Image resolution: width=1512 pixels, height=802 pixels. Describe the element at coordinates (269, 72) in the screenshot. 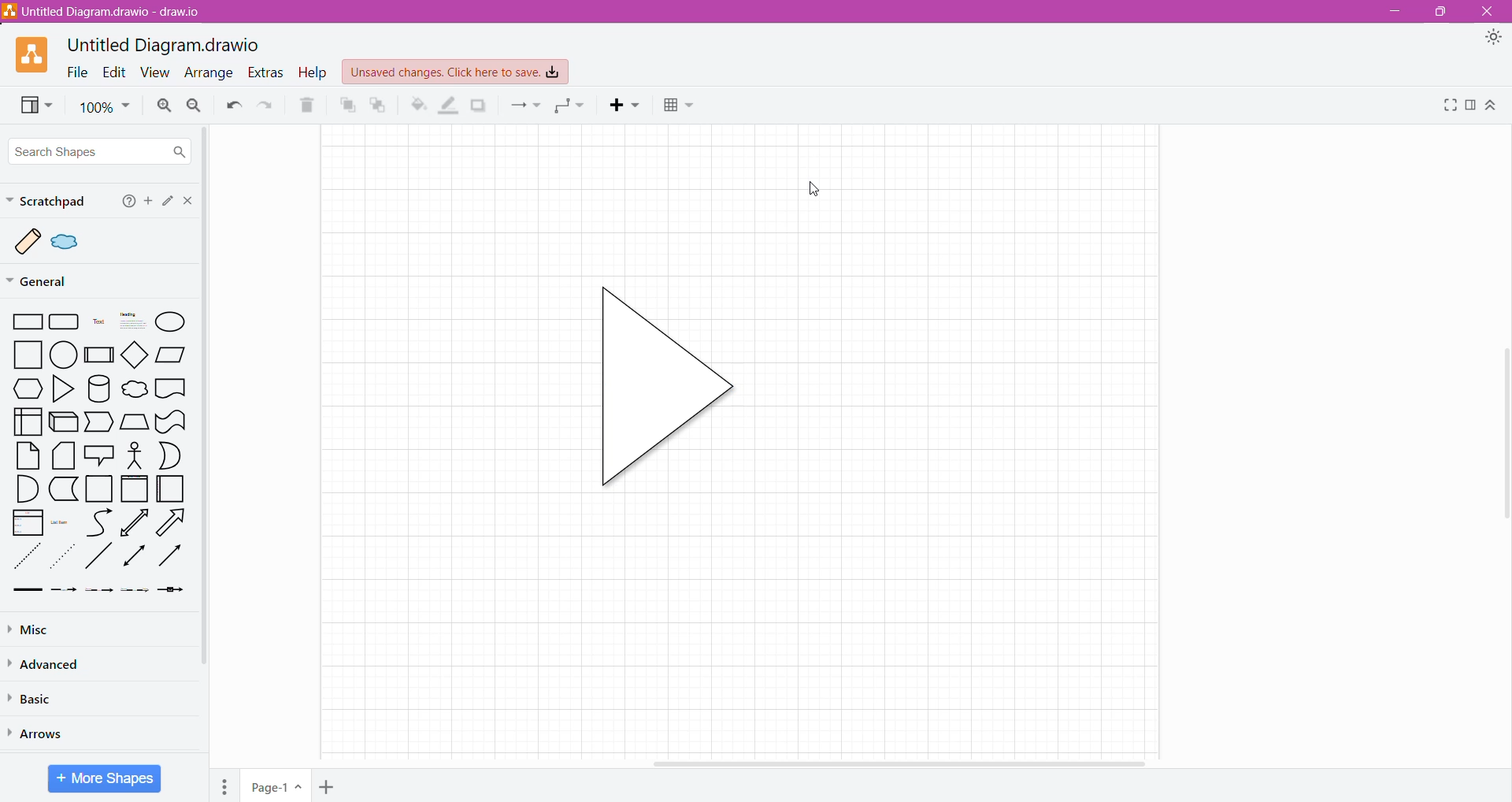

I see `Extras` at that location.